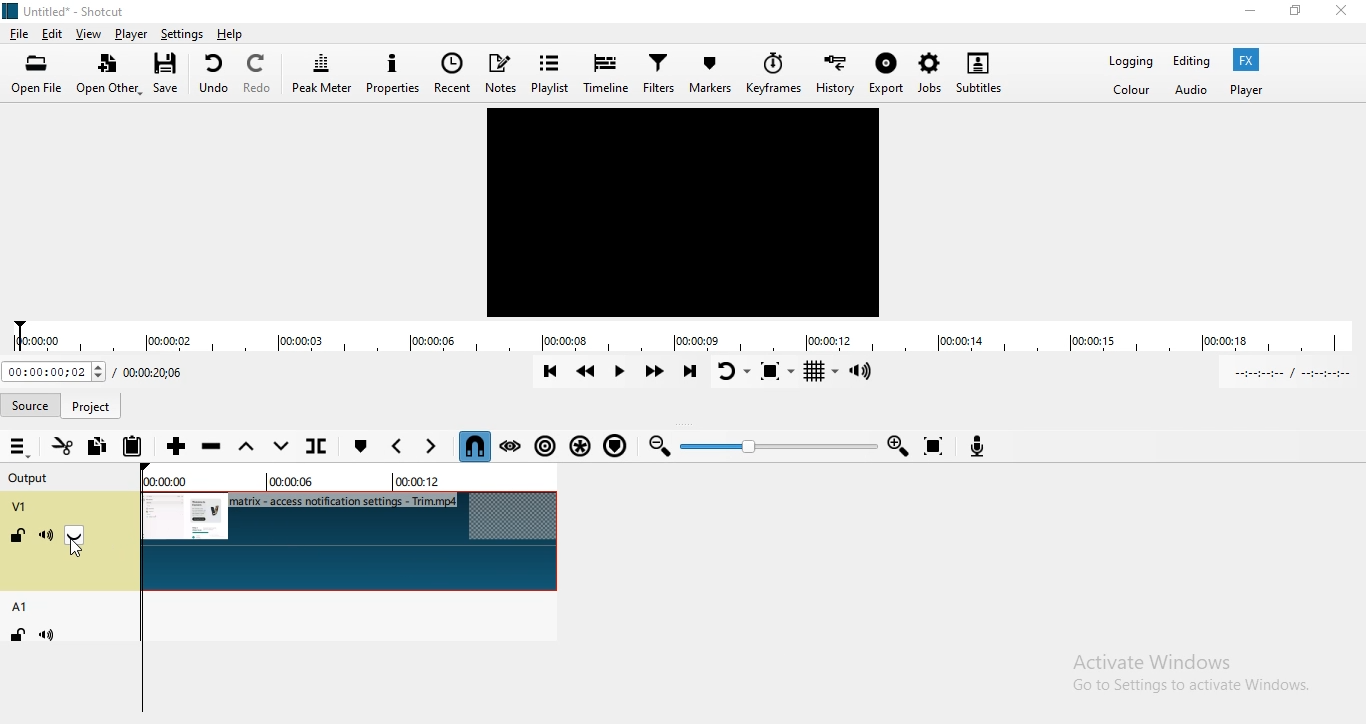 The width and height of the screenshot is (1366, 724). Describe the element at coordinates (321, 74) in the screenshot. I see `Peak meter` at that location.